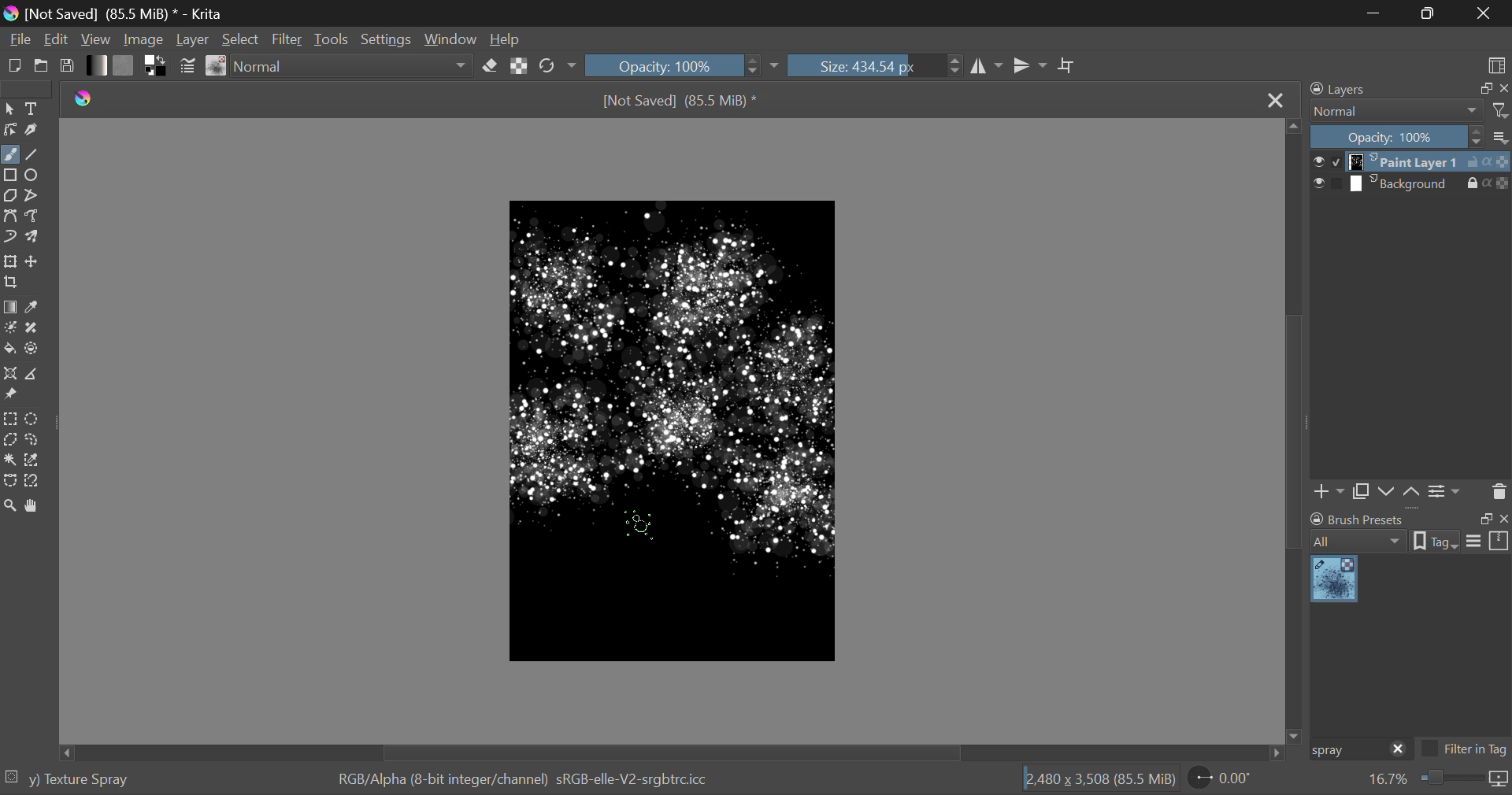  What do you see at coordinates (1399, 750) in the screenshot?
I see `close` at bounding box center [1399, 750].